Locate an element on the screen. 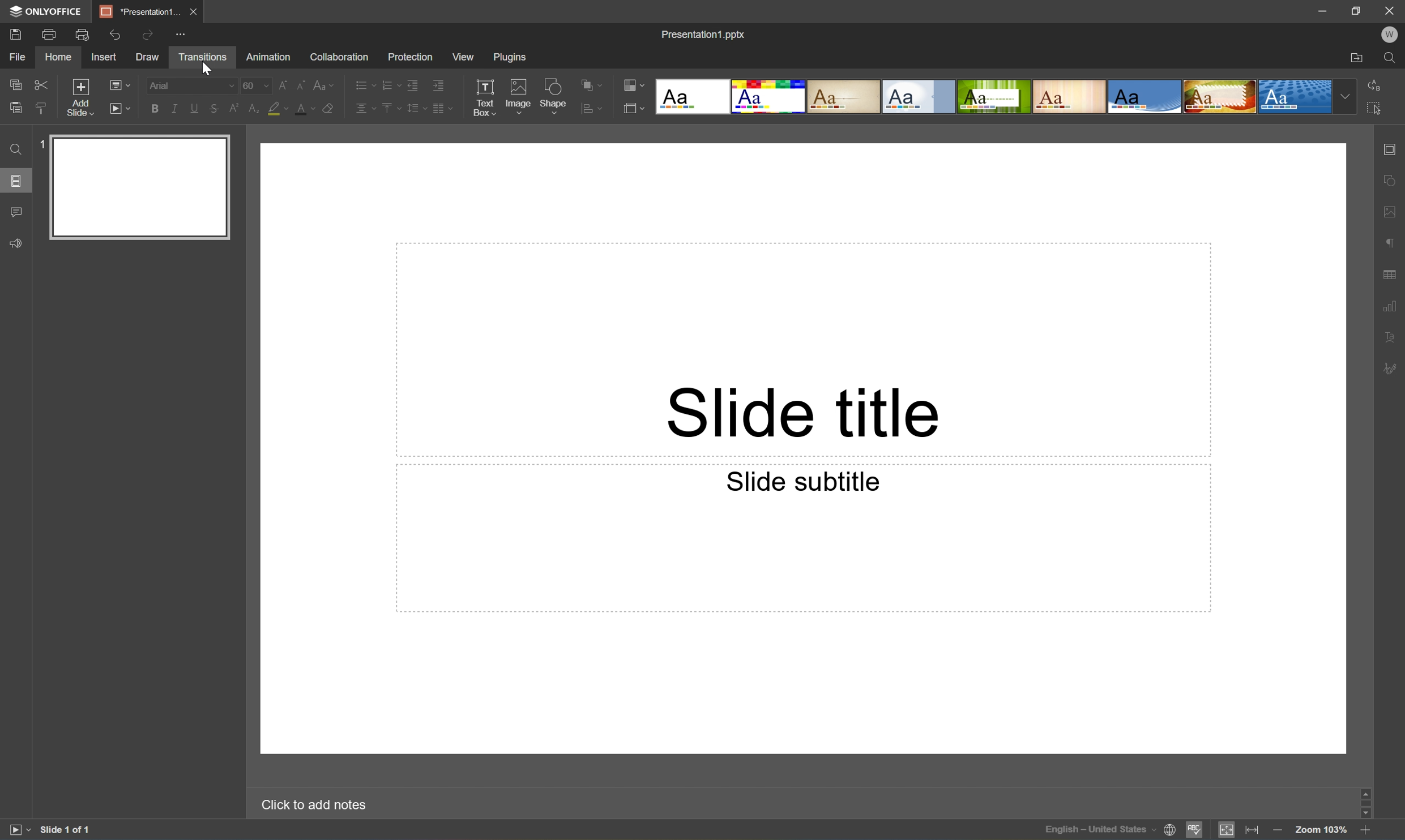 This screenshot has width=1405, height=840. Scroll Bar is located at coordinates (1368, 803).